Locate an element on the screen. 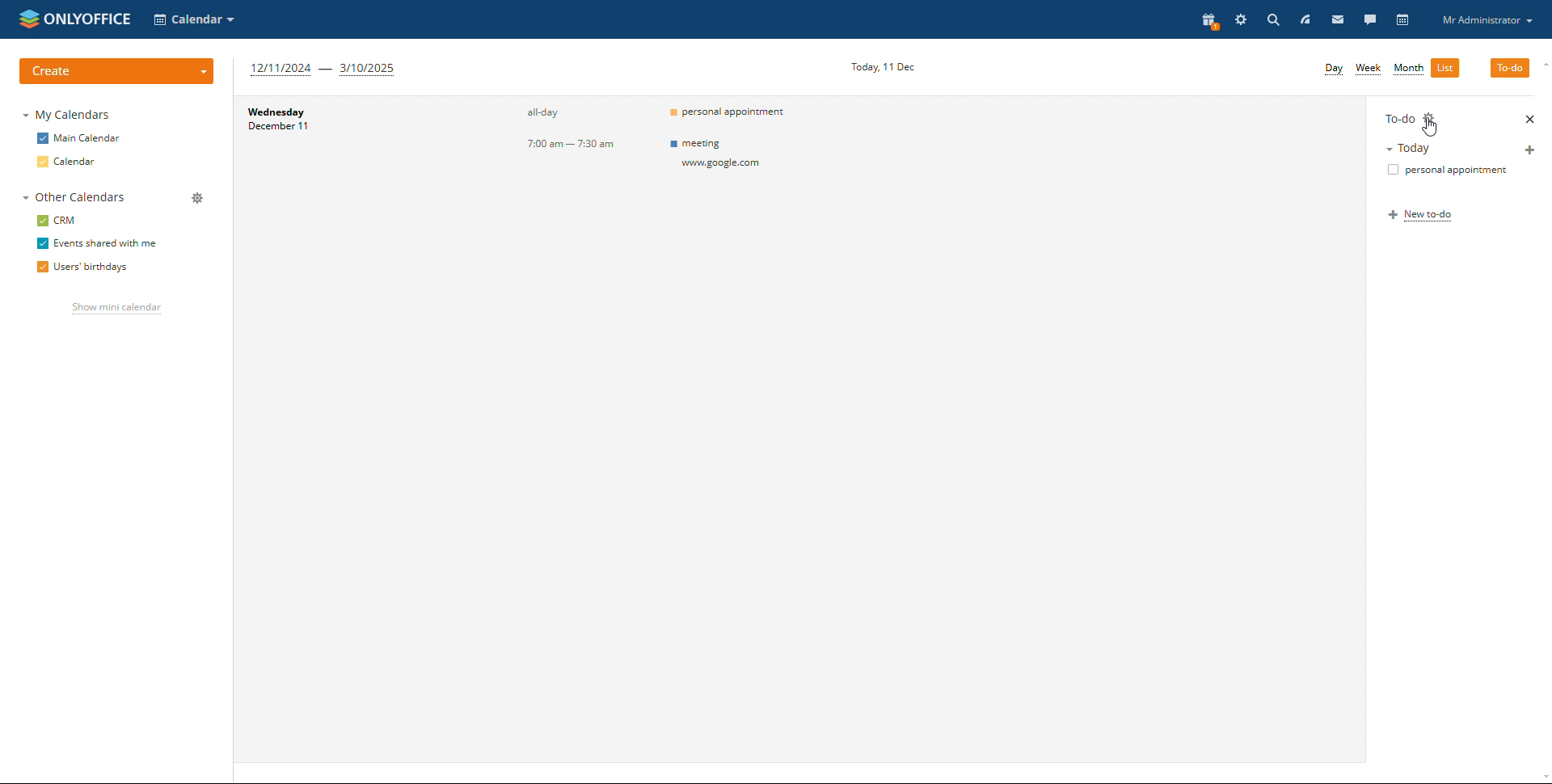 This screenshot has width=1552, height=784.  is located at coordinates (743, 157).